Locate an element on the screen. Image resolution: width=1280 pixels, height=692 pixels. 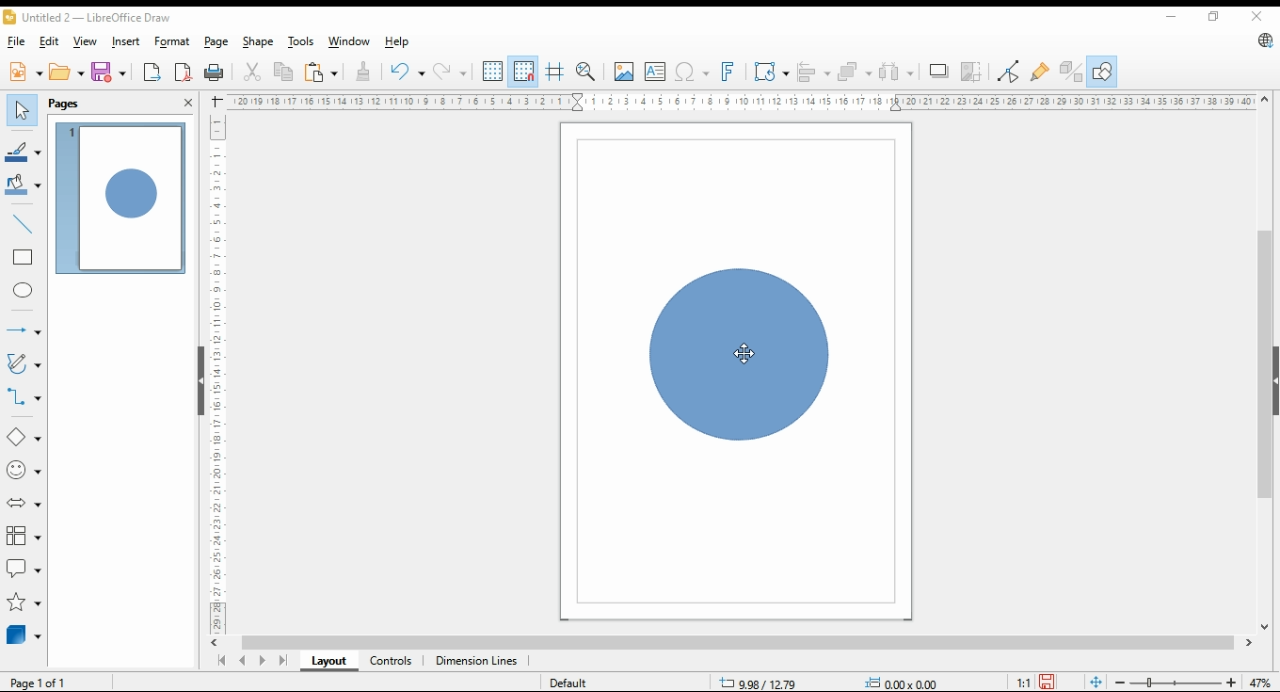
zoom and pan is located at coordinates (586, 72).